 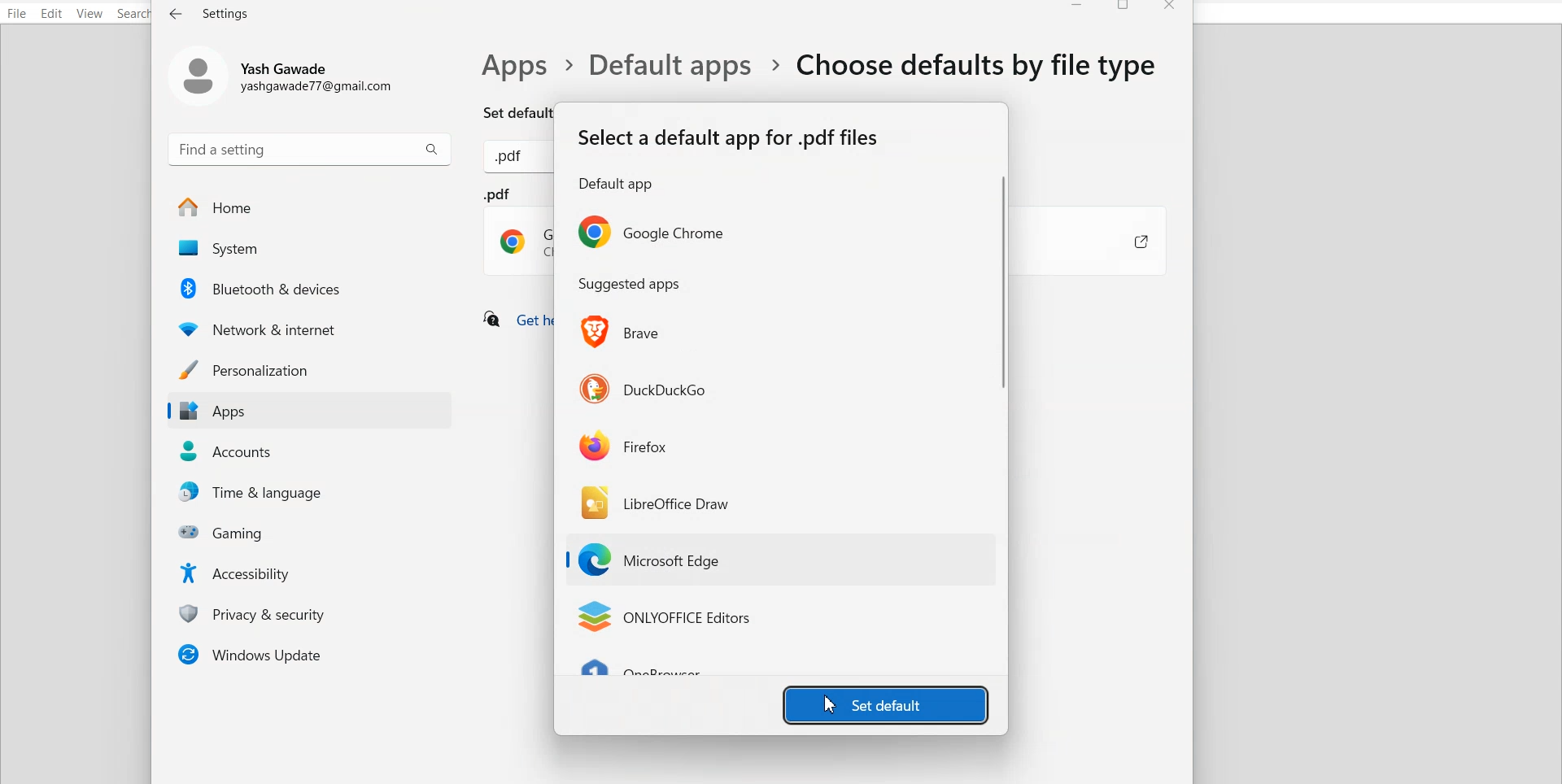 What do you see at coordinates (308, 369) in the screenshot?
I see `Personalization` at bounding box center [308, 369].